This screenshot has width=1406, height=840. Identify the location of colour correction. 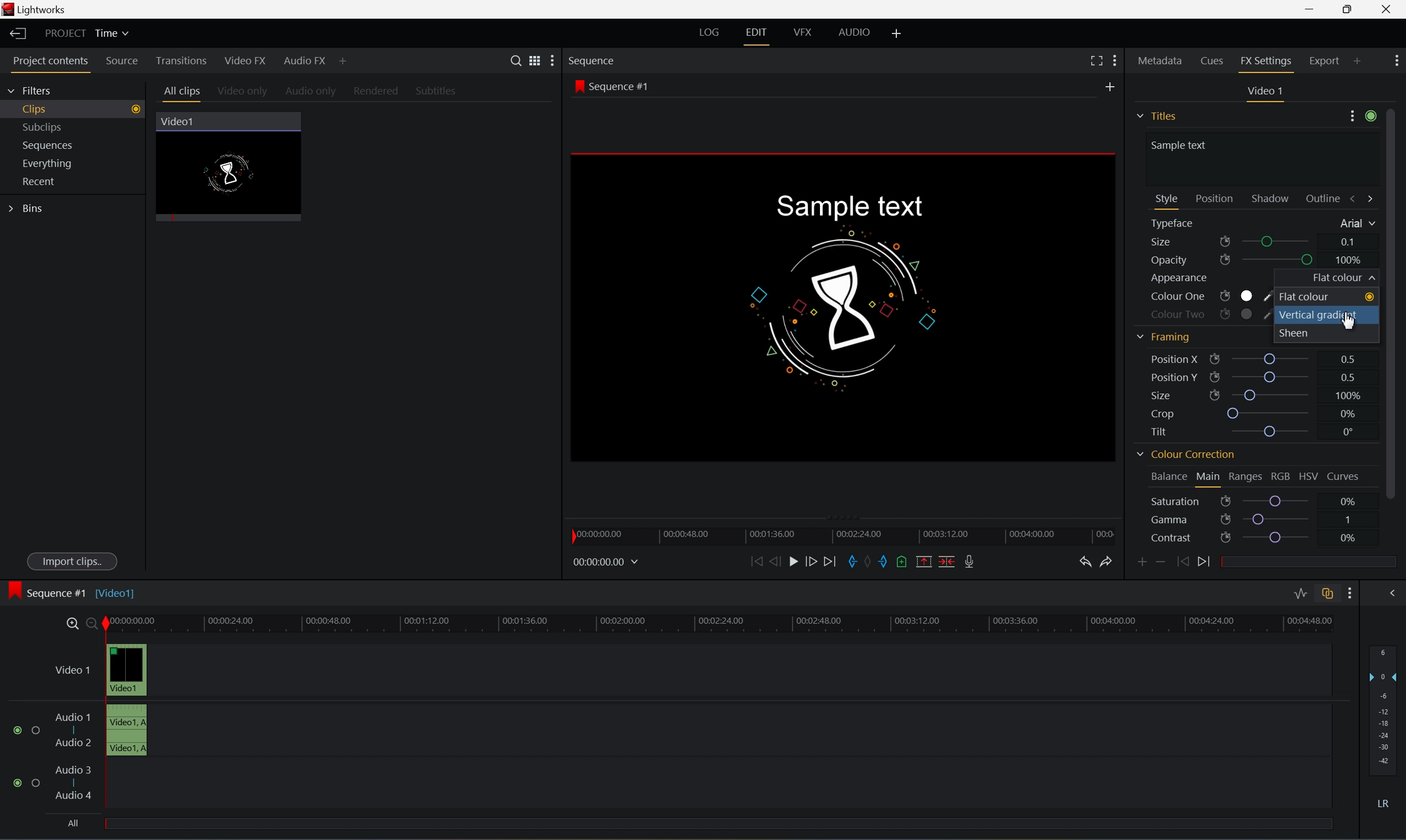
(1185, 456).